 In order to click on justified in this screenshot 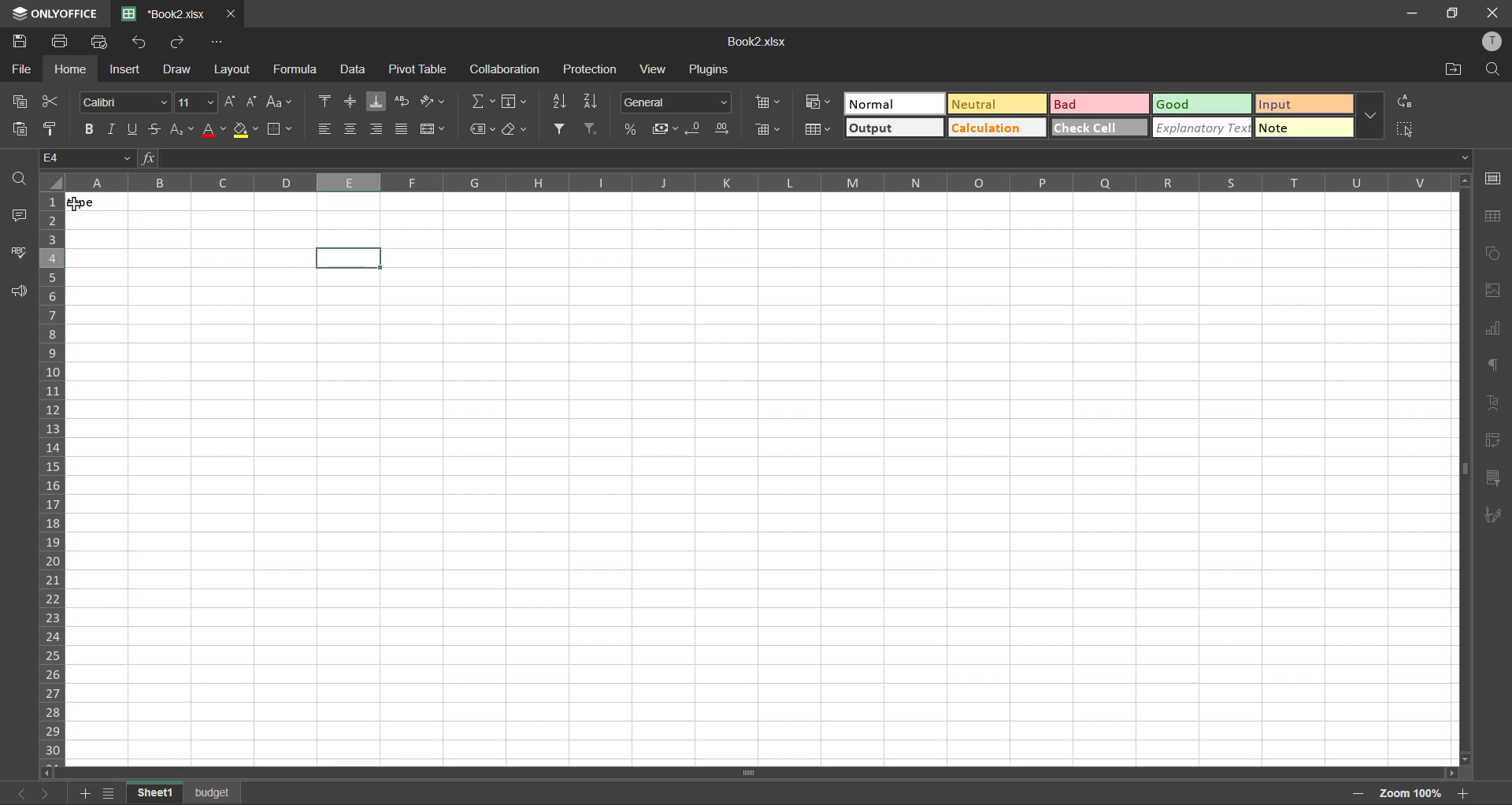, I will do `click(405, 129)`.